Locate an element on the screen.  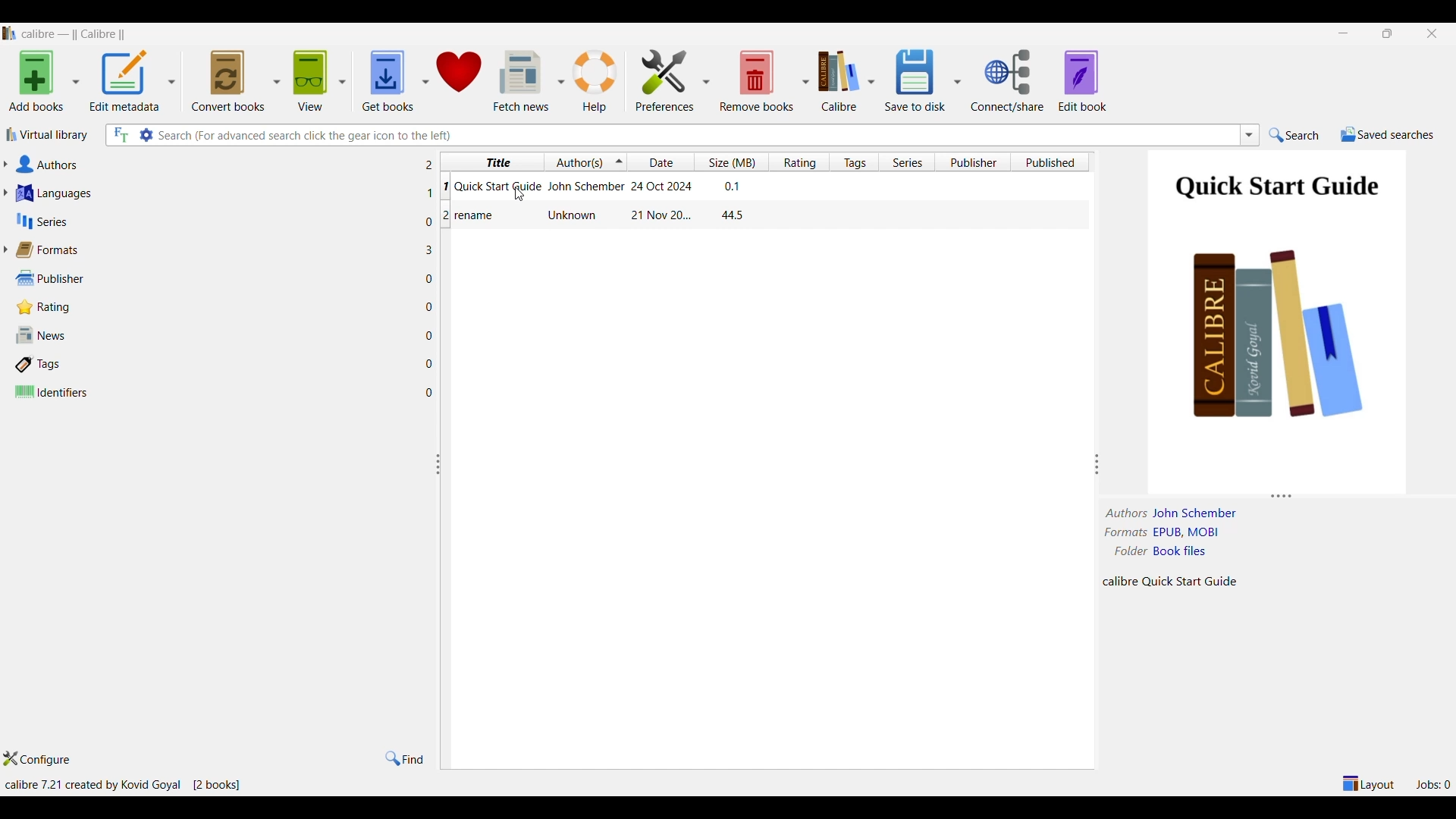
authors is located at coordinates (1127, 513).